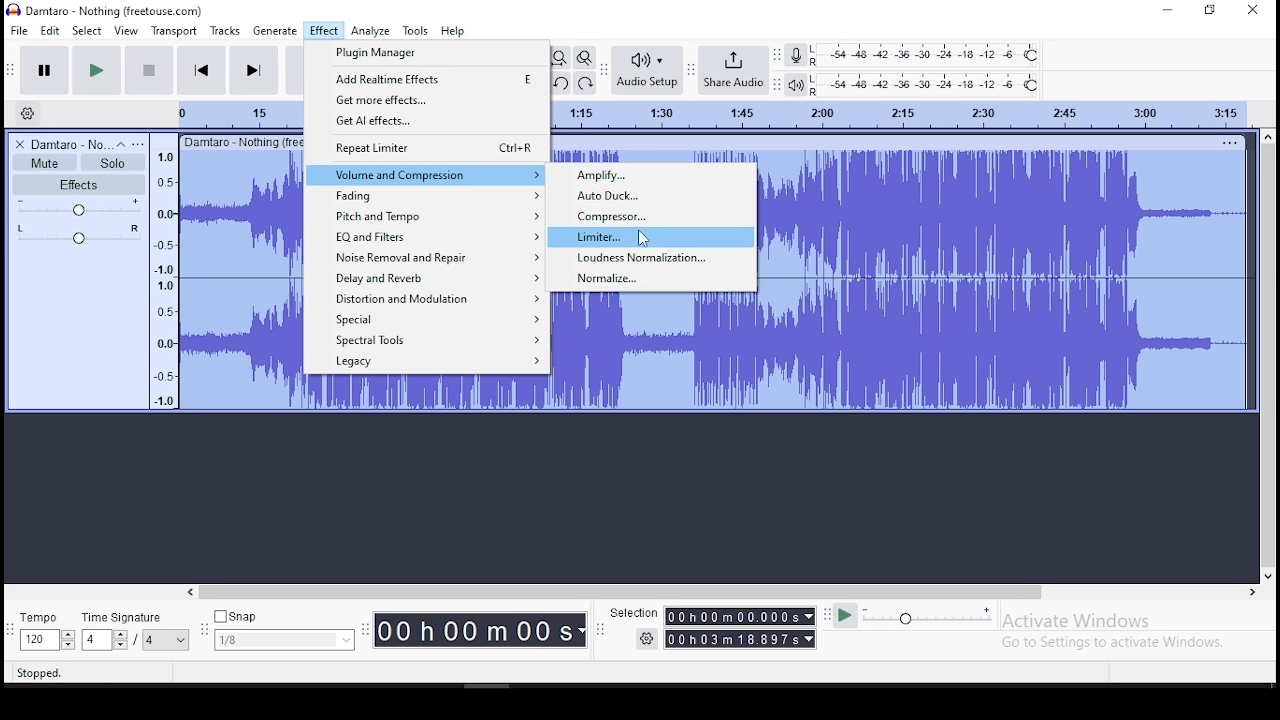 The width and height of the screenshot is (1280, 720). Describe the element at coordinates (430, 318) in the screenshot. I see `special` at that location.